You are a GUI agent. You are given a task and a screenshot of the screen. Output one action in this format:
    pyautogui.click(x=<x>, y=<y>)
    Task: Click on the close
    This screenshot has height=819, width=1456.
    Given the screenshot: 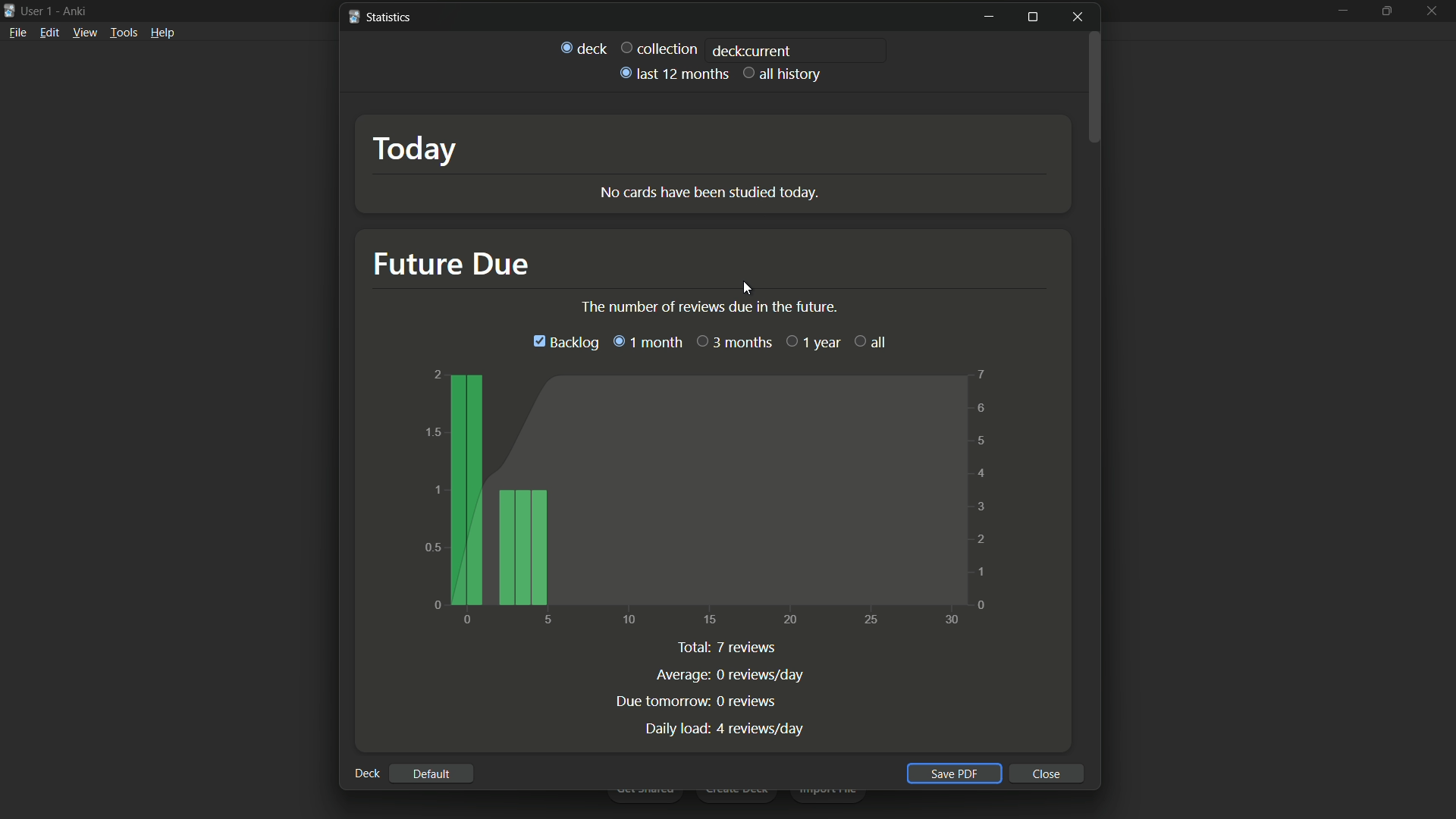 What is the action you would take?
    pyautogui.click(x=1047, y=774)
    